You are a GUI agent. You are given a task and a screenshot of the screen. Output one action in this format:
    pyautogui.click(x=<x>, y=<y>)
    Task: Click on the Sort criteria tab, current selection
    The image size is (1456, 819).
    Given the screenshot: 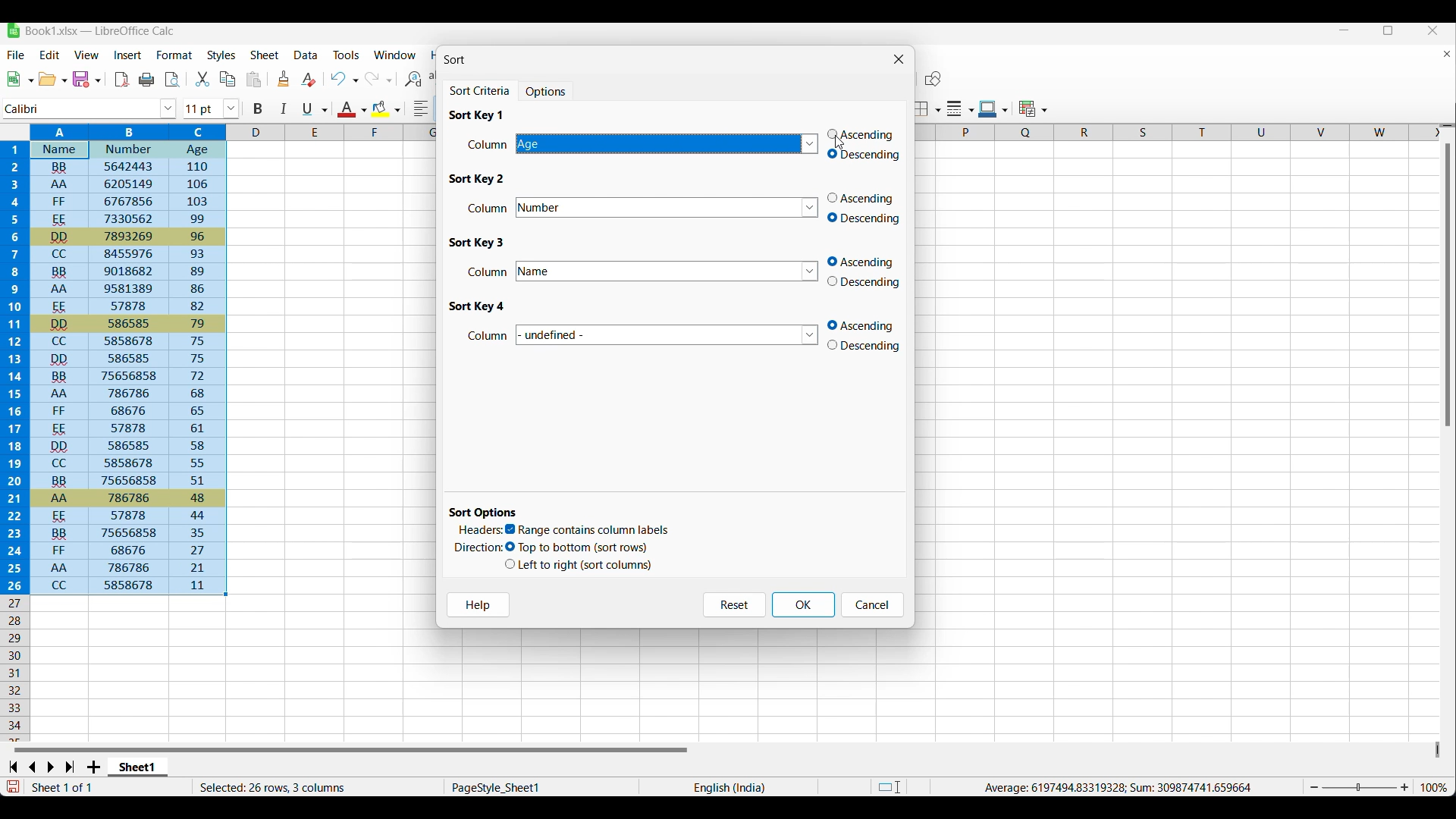 What is the action you would take?
    pyautogui.click(x=482, y=91)
    